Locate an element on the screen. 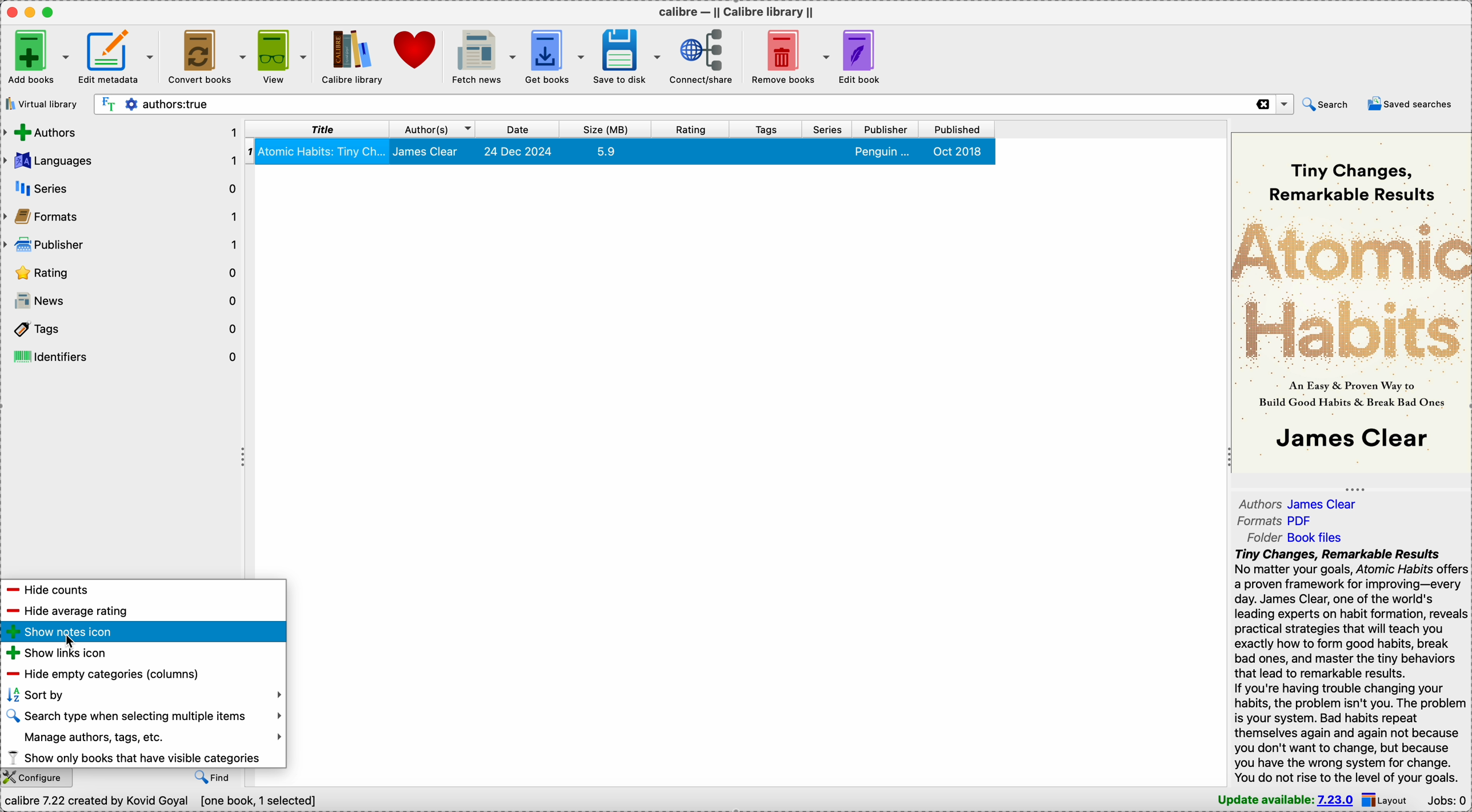 The width and height of the screenshot is (1472, 812). 24 Dec 2024 is located at coordinates (519, 153).